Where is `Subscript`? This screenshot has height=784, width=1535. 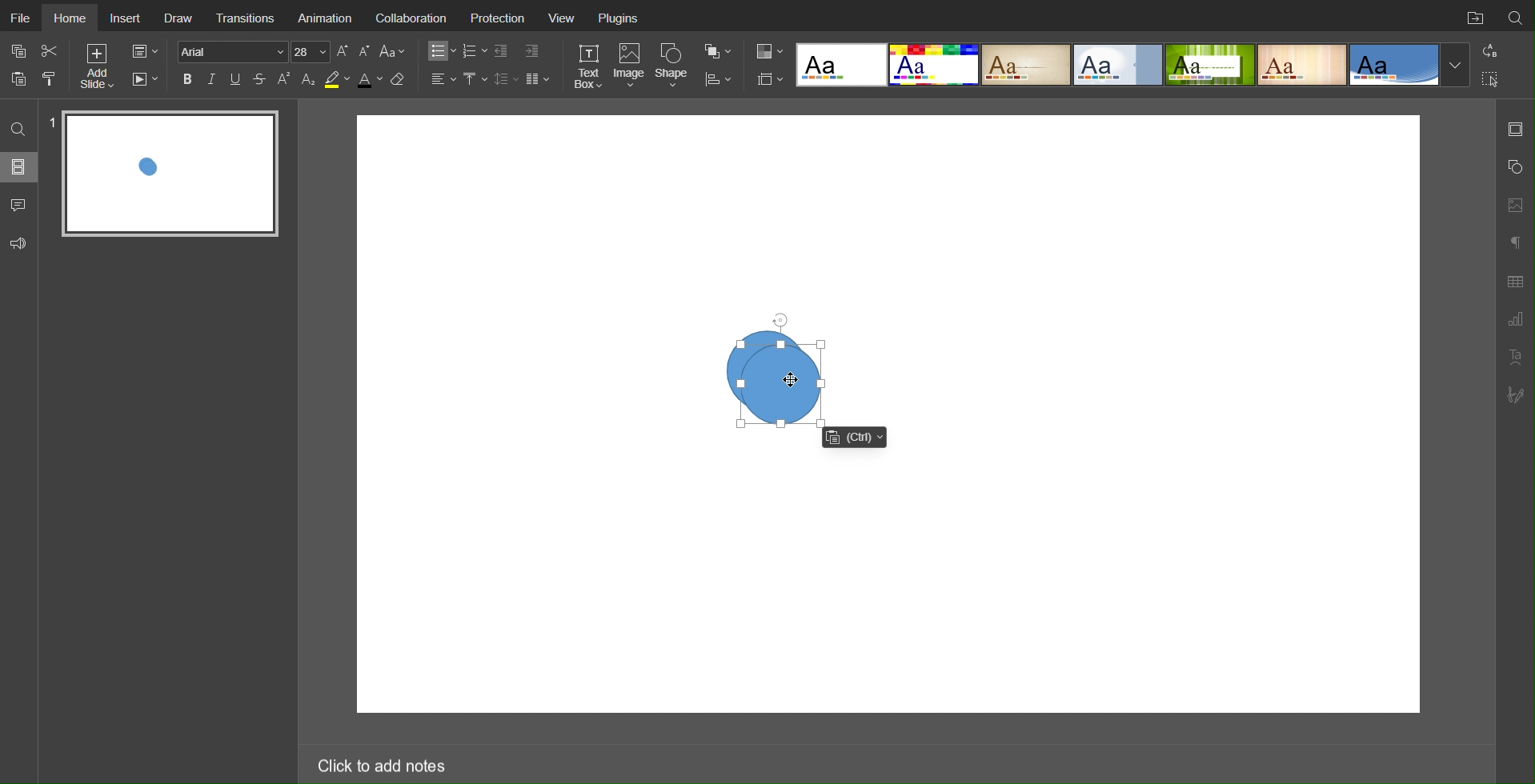 Subscript is located at coordinates (309, 79).